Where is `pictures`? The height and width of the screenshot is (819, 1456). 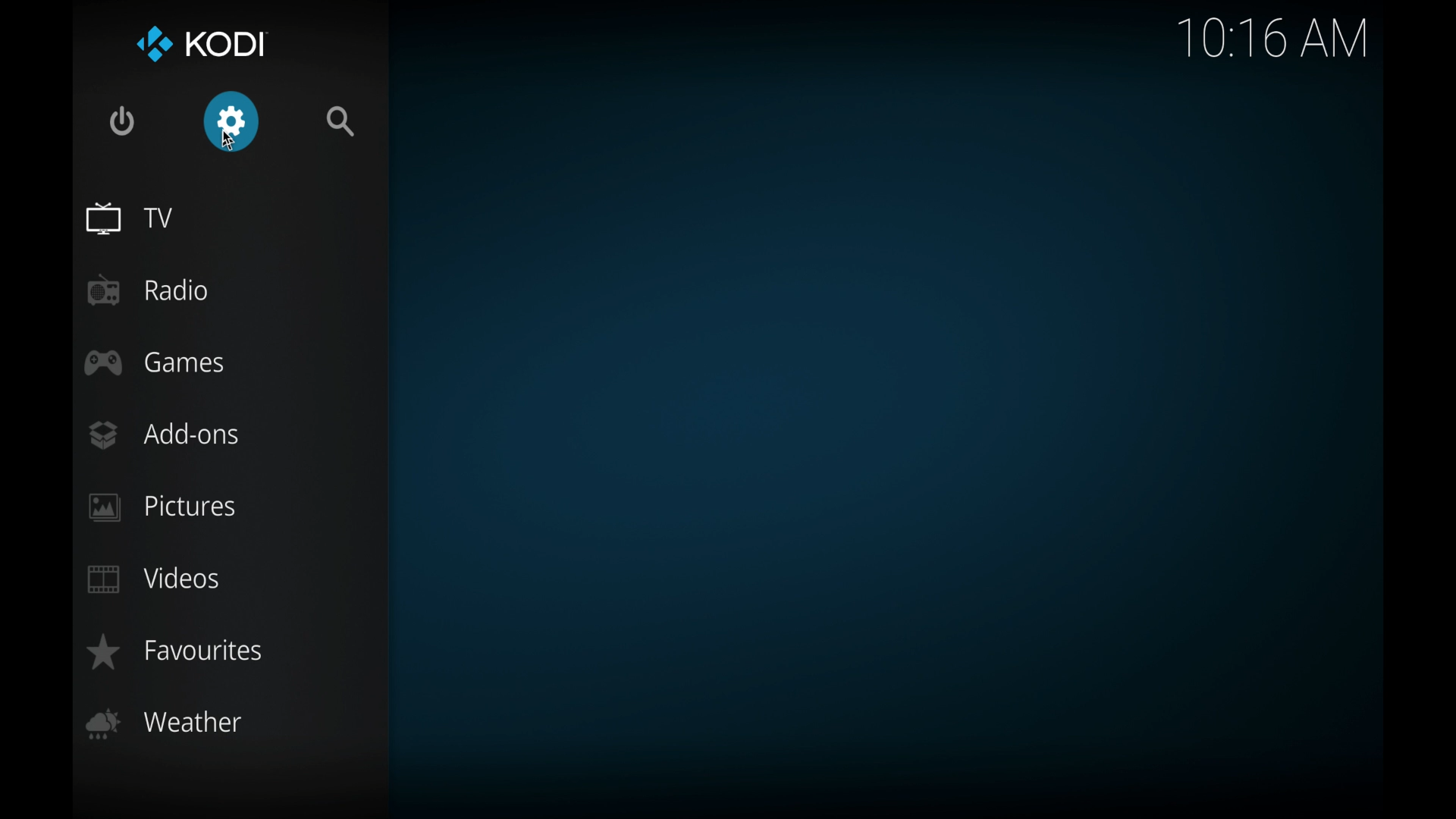 pictures is located at coordinates (162, 507).